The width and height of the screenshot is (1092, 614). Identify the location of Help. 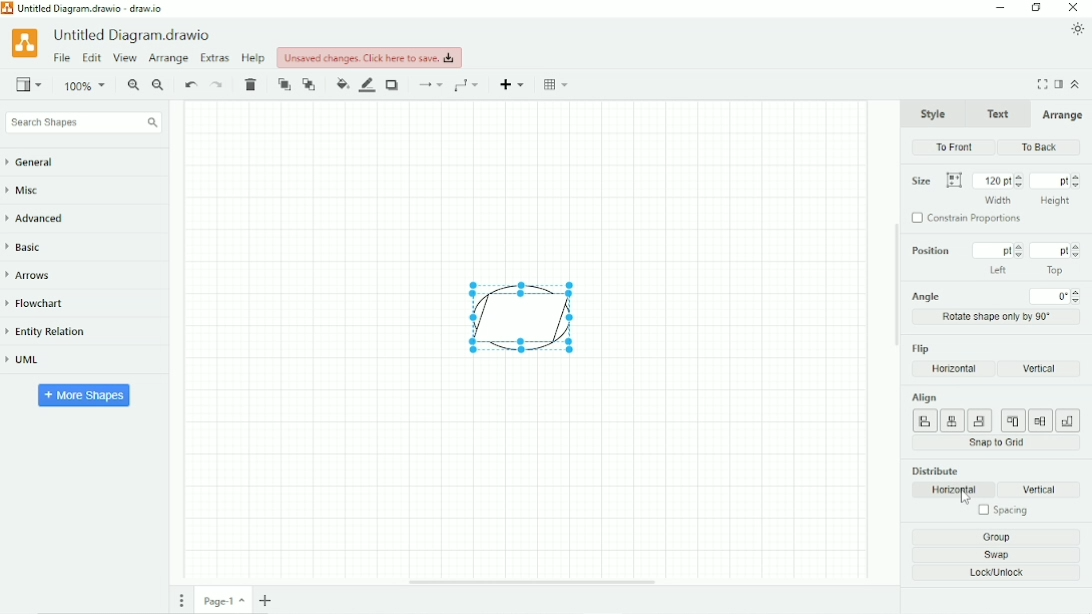
(254, 58).